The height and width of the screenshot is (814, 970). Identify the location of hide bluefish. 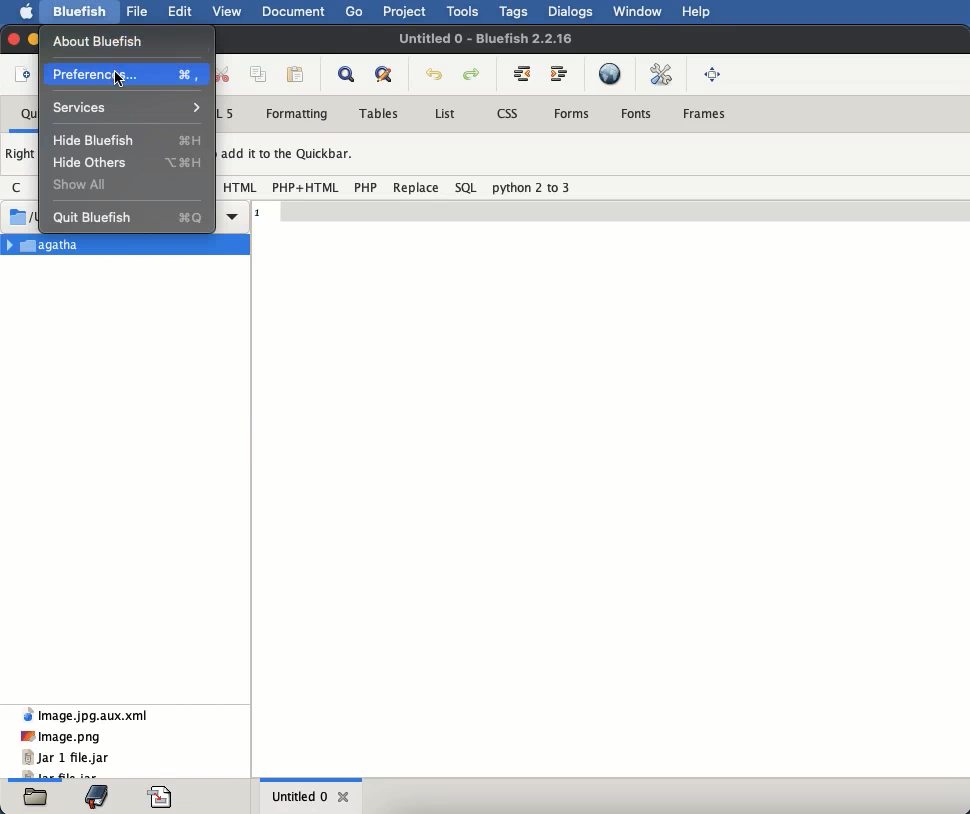
(133, 140).